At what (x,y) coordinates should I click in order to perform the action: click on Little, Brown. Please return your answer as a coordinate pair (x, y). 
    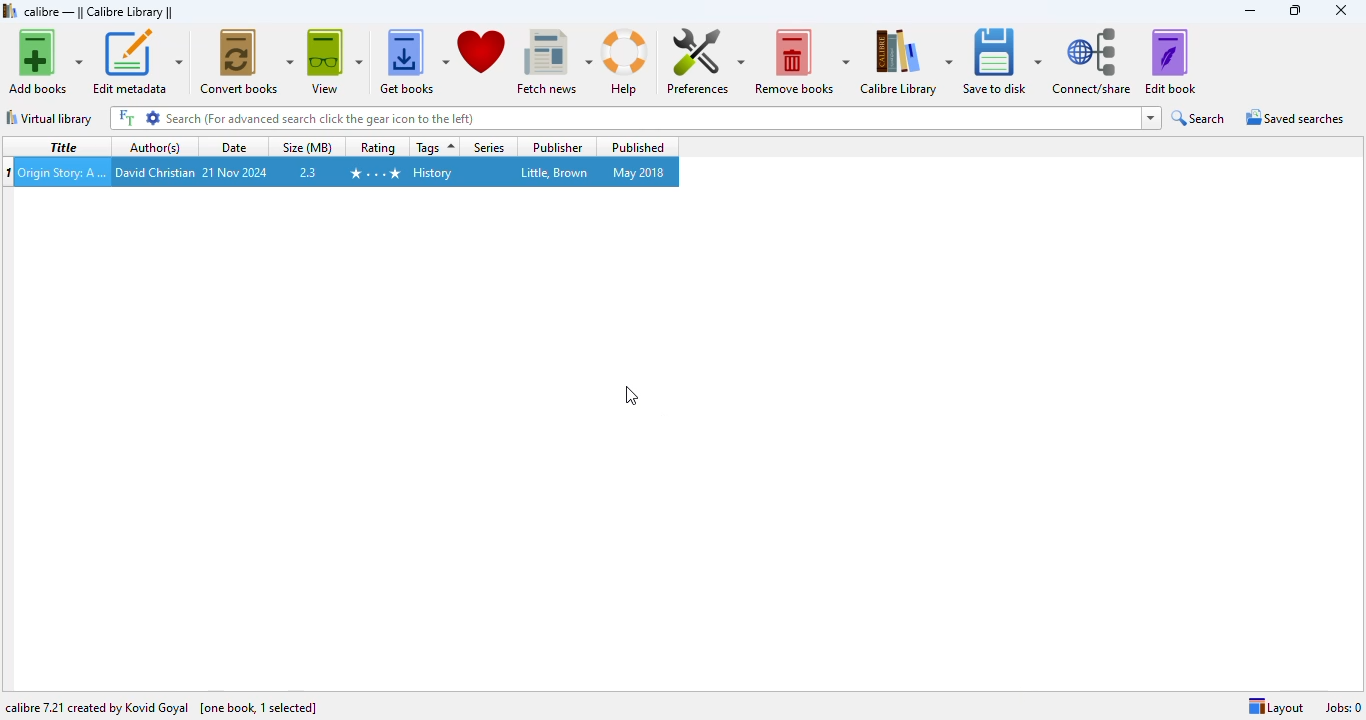
    Looking at the image, I should click on (554, 172).